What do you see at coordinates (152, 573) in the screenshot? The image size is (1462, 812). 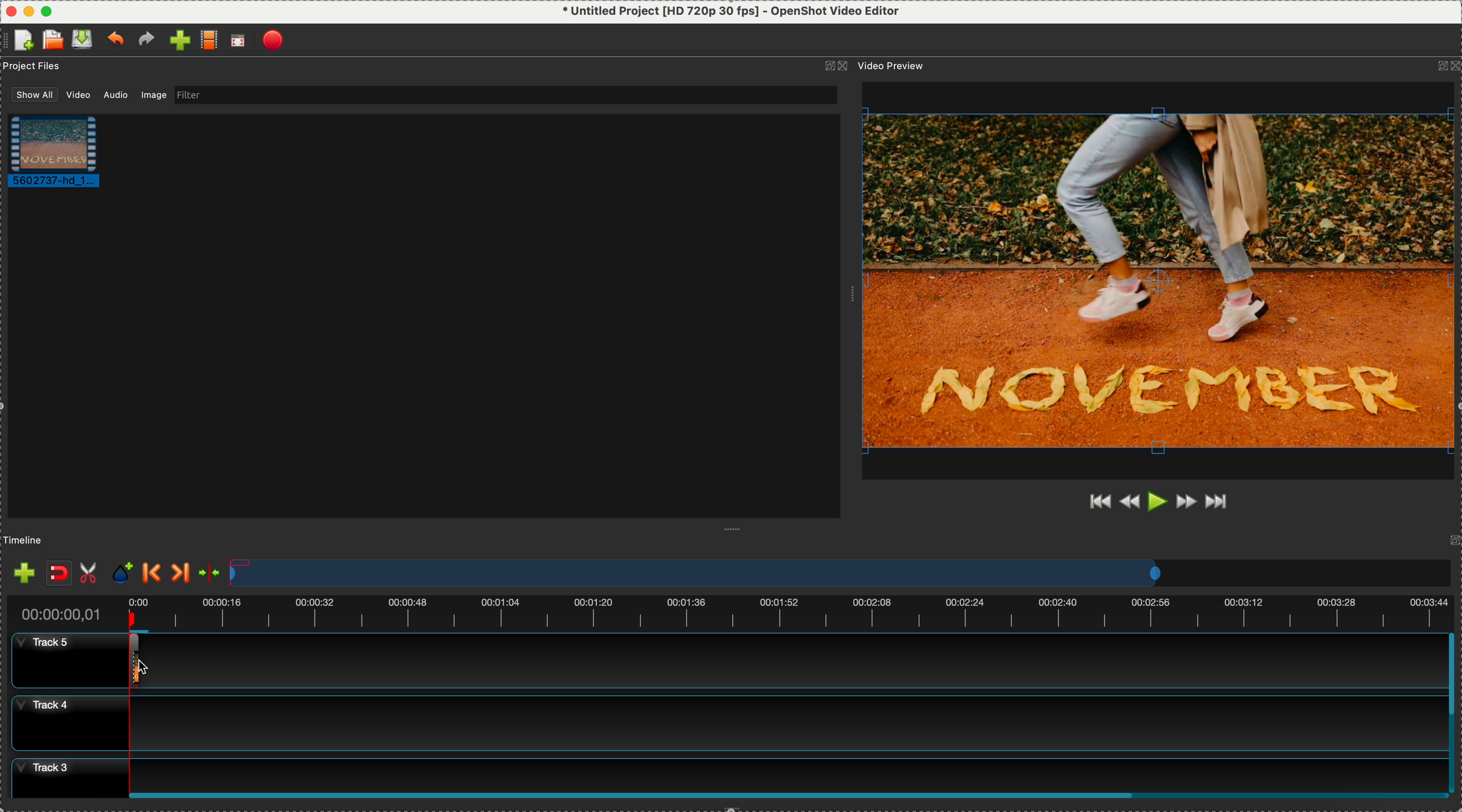 I see `previous marker` at bounding box center [152, 573].